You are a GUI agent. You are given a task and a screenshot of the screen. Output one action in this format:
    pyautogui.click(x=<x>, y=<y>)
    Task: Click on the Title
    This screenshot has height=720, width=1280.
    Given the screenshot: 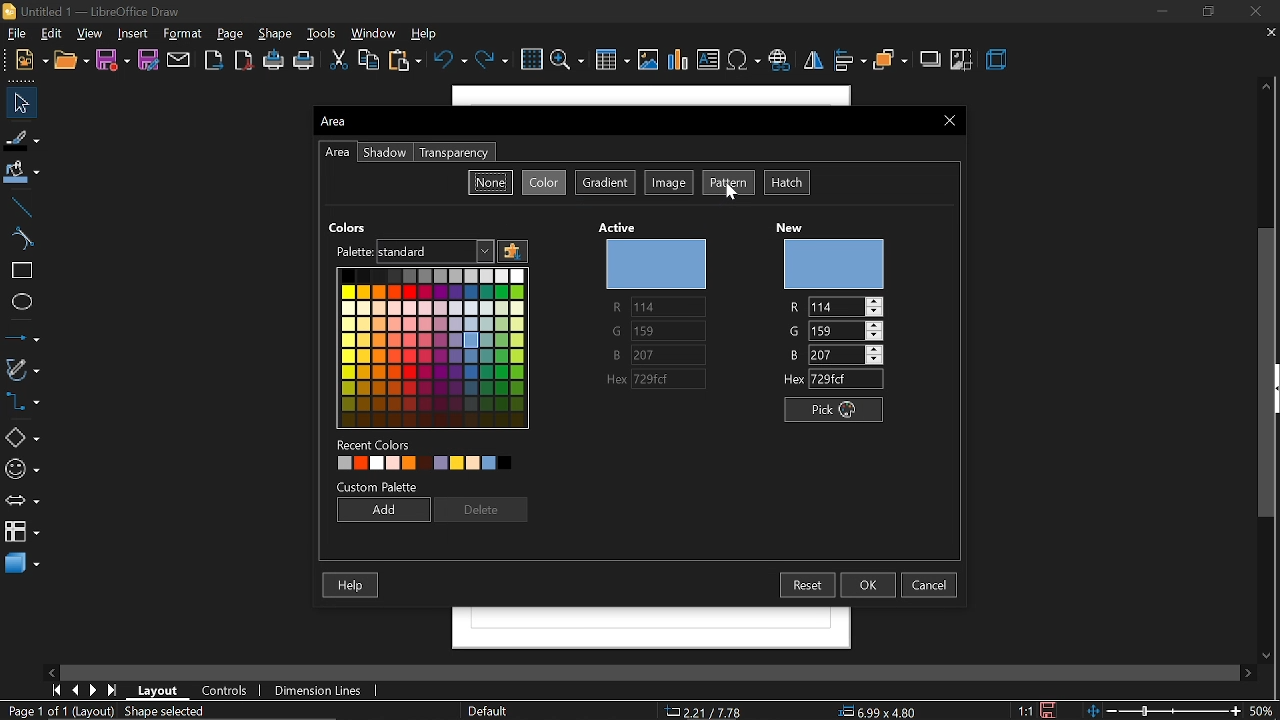 What is the action you would take?
    pyautogui.click(x=100, y=10)
    